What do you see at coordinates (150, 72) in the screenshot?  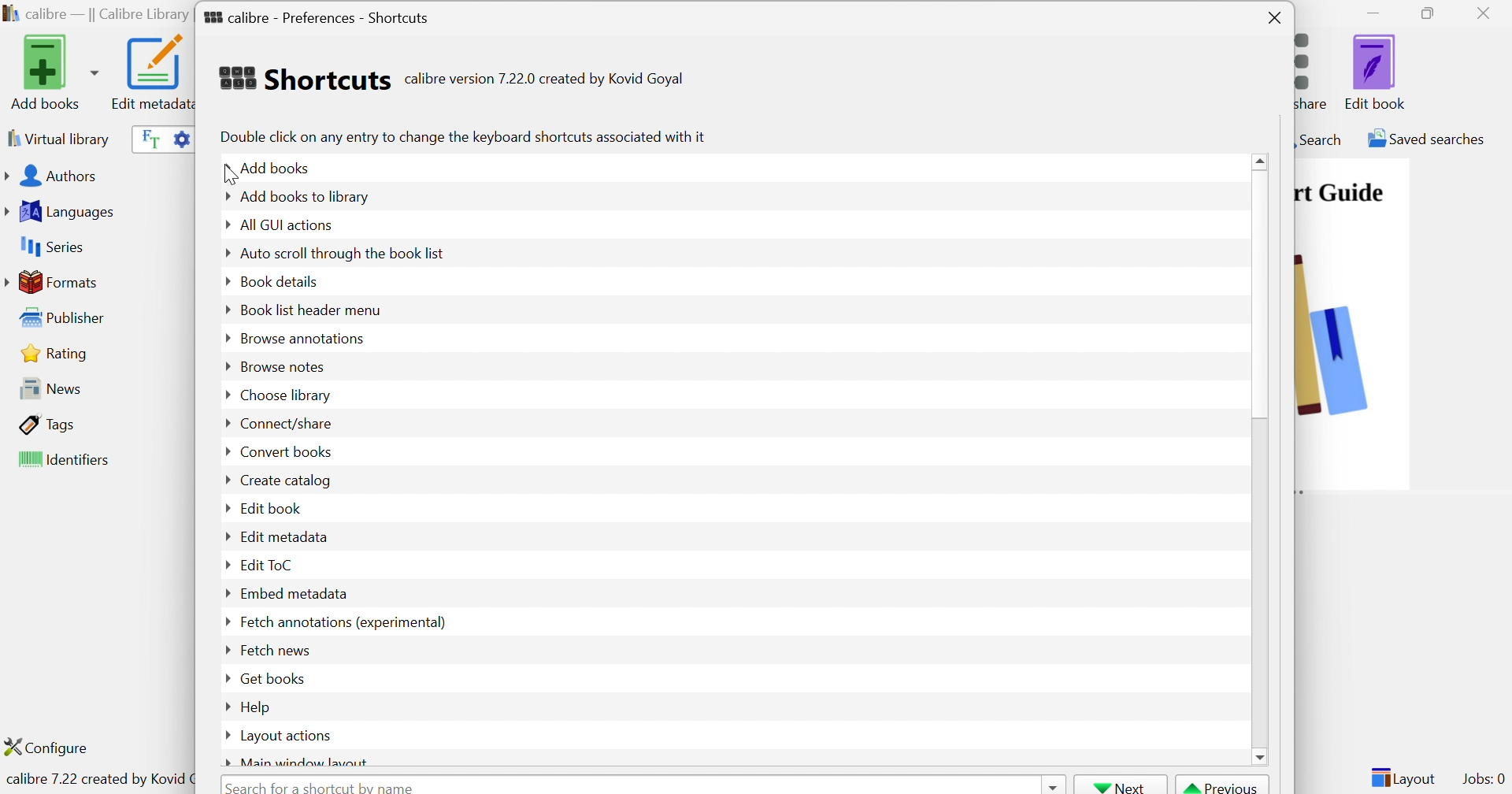 I see `Edit metadata` at bounding box center [150, 72].